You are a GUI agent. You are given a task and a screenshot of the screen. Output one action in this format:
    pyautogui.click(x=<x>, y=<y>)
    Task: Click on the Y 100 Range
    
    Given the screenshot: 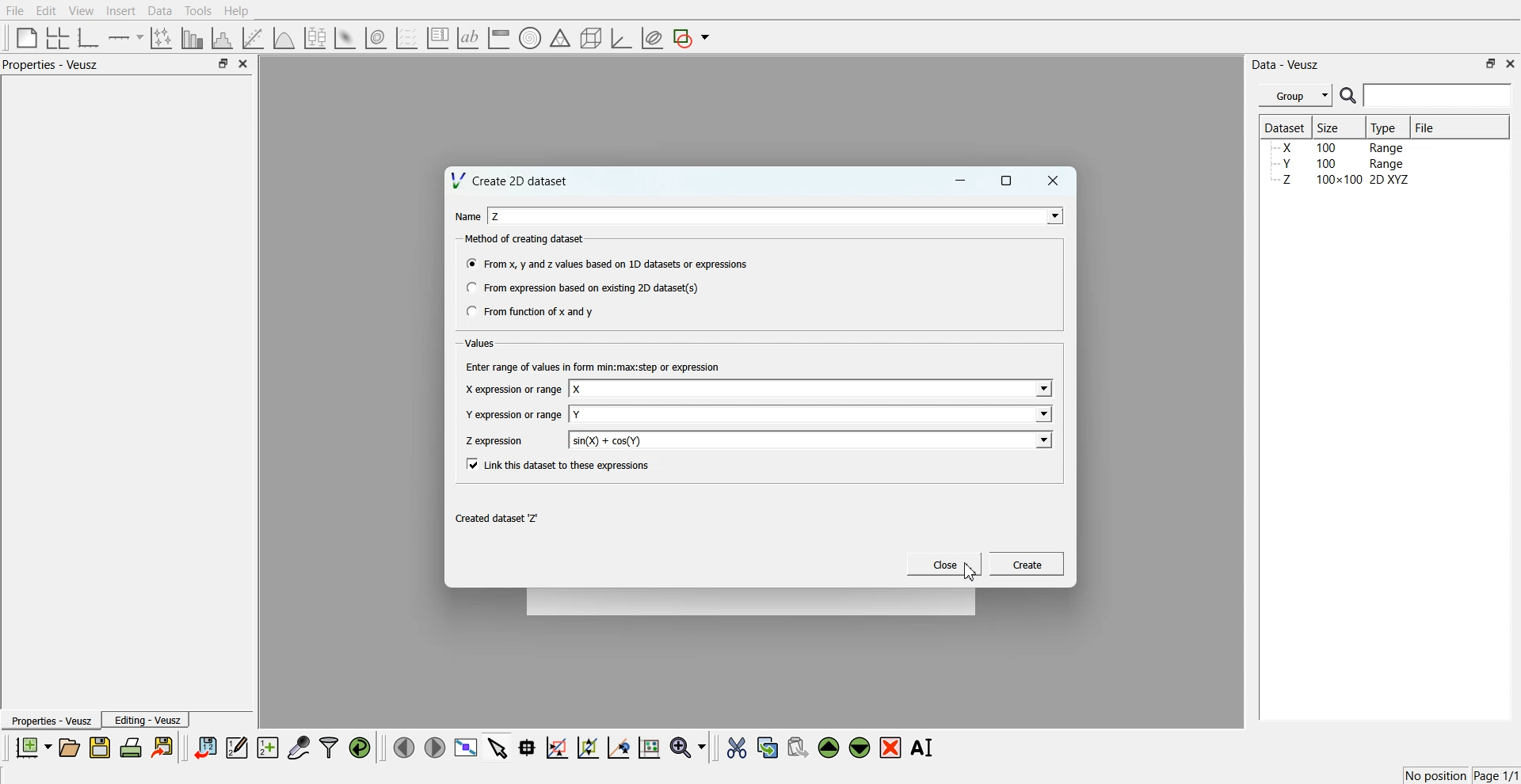 What is the action you would take?
    pyautogui.click(x=1341, y=164)
    